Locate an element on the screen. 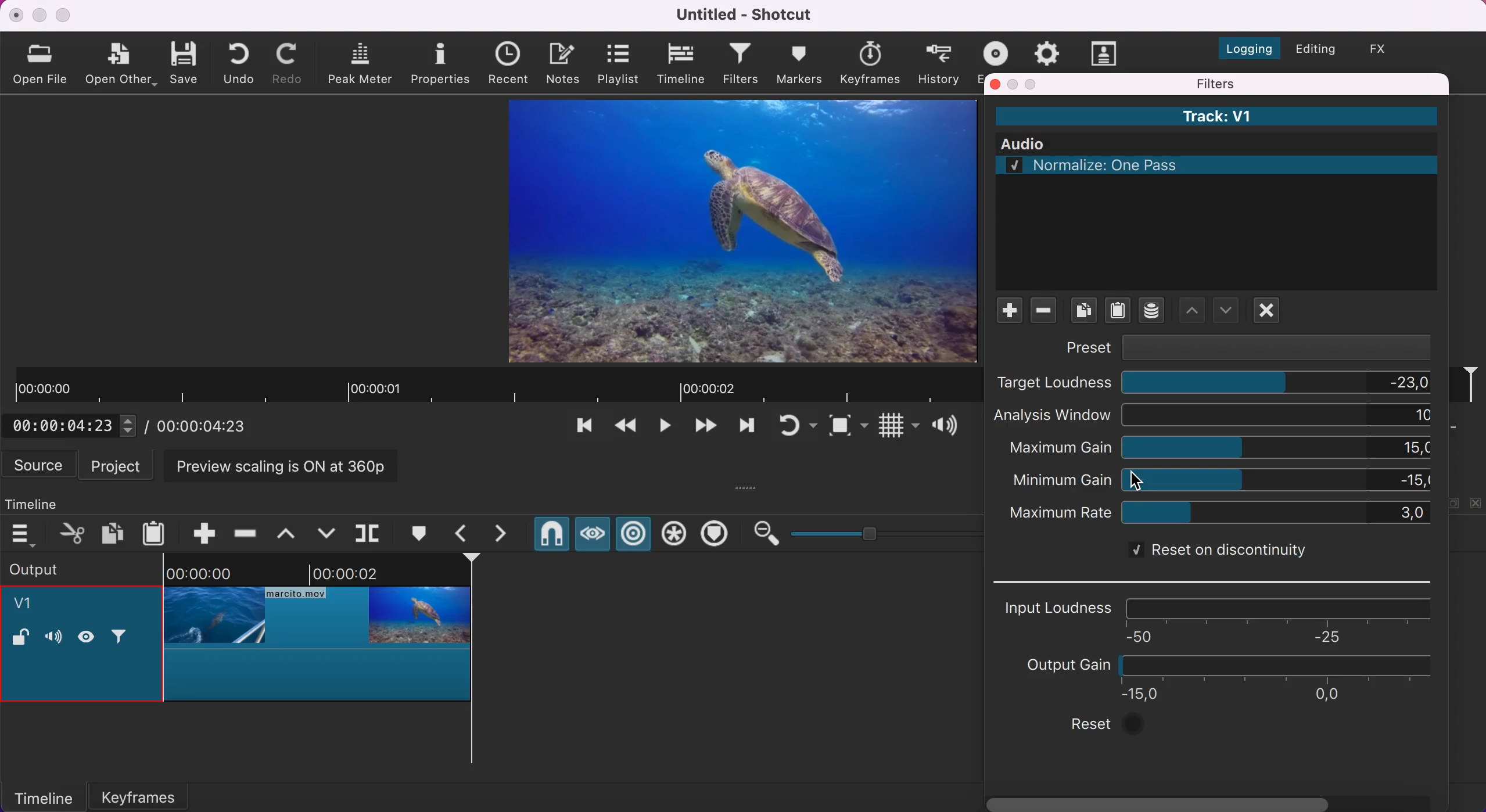 This screenshot has height=812, width=1486. current position is located at coordinates (75, 425).